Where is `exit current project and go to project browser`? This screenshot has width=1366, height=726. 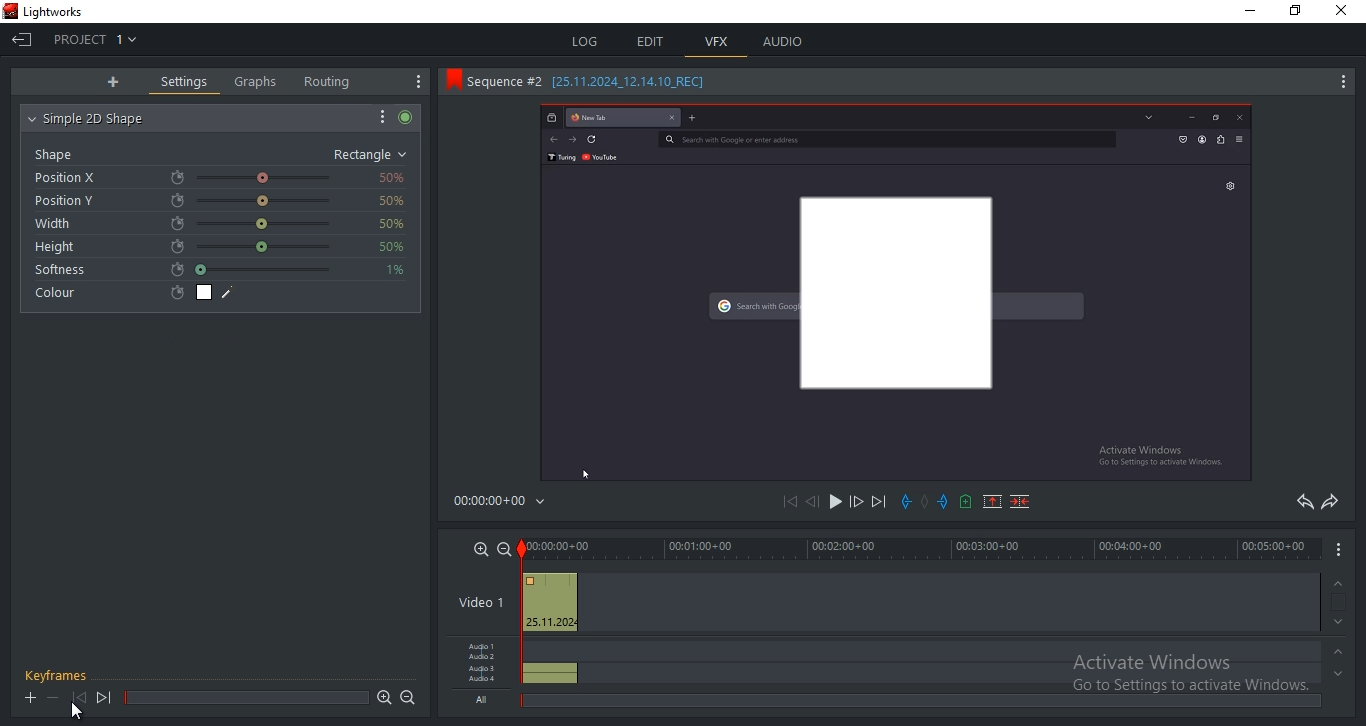
exit current project and go to project browser is located at coordinates (23, 41).